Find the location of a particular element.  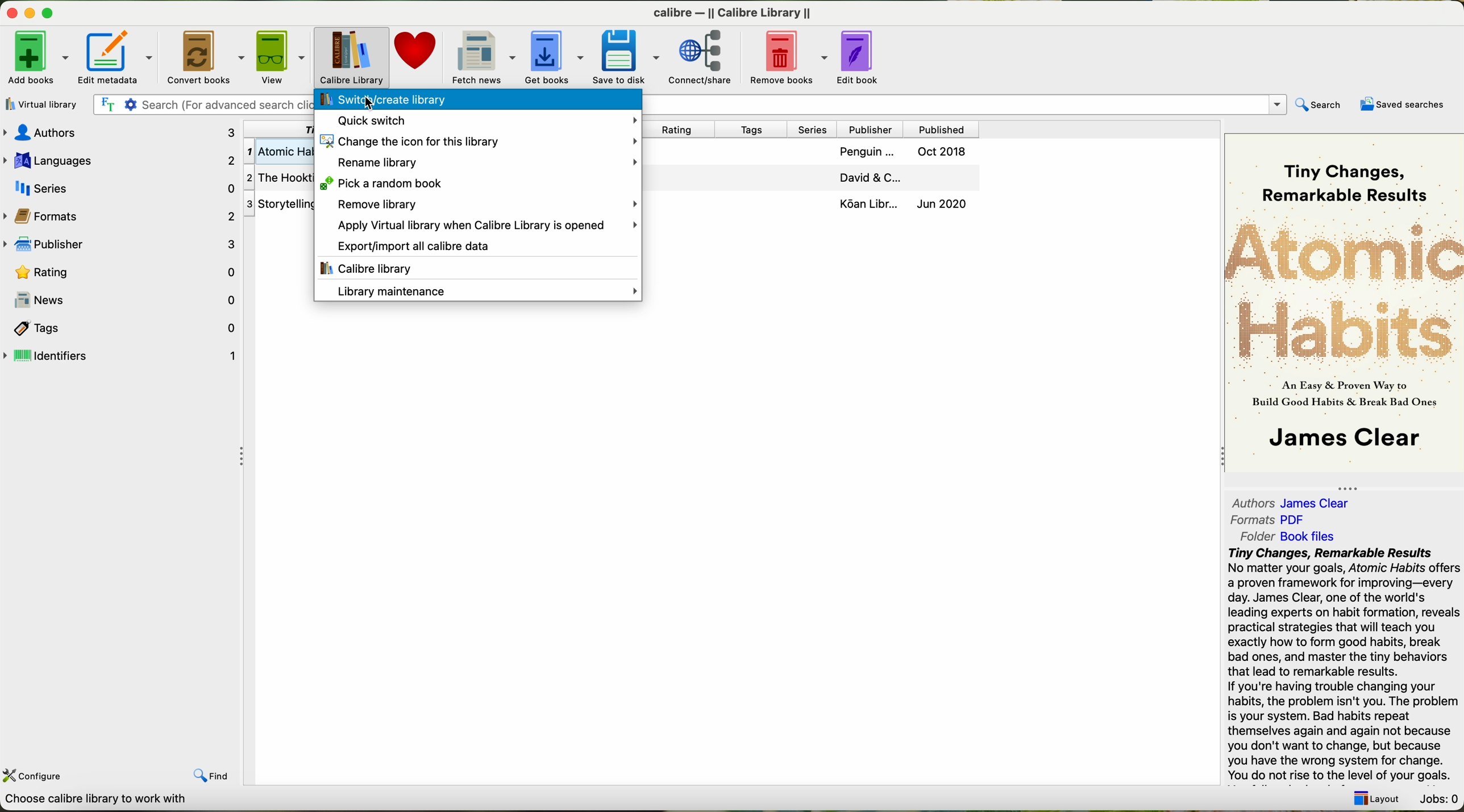

rename library is located at coordinates (479, 161).